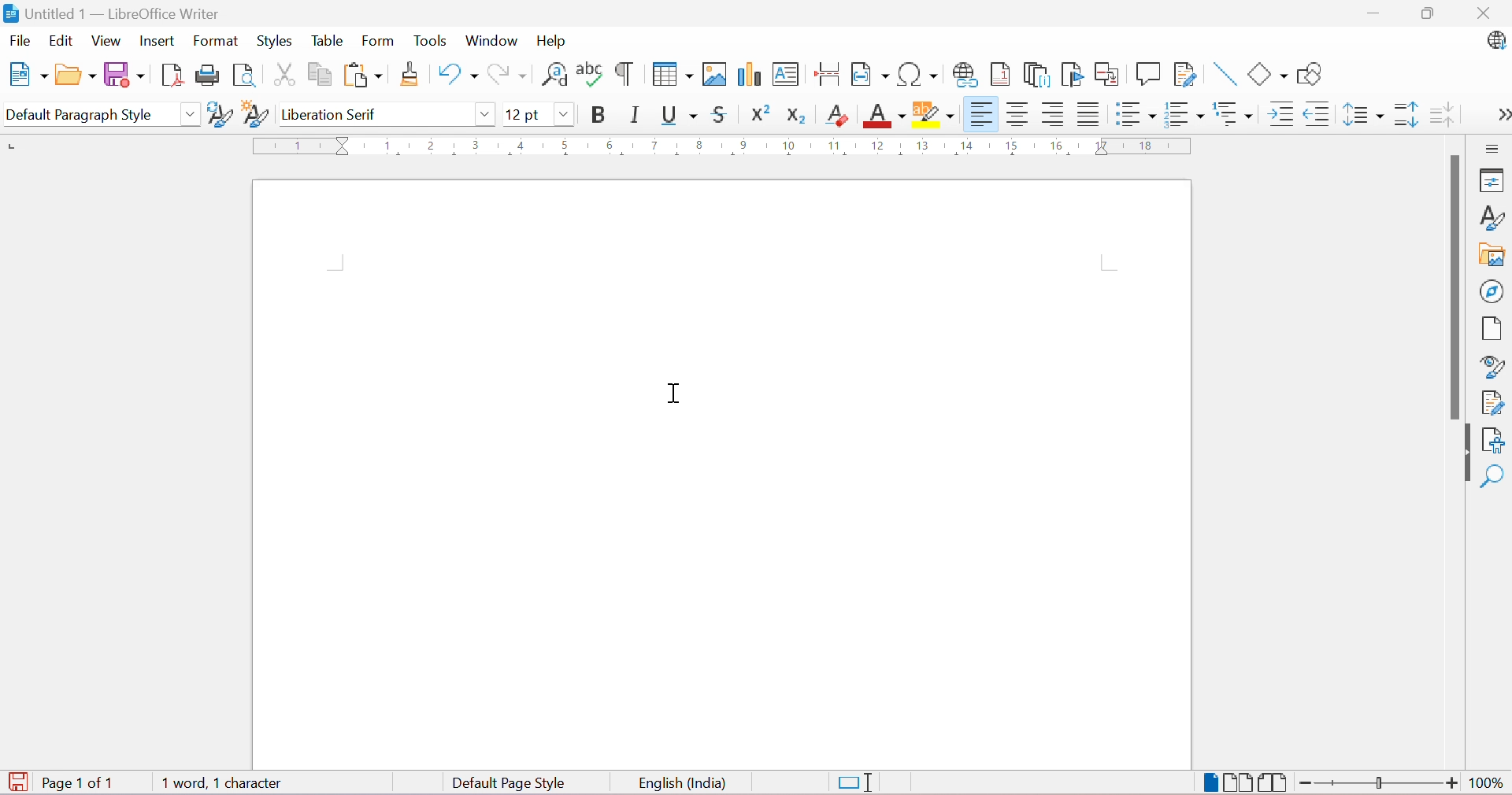  Describe the element at coordinates (510, 784) in the screenshot. I see `Default Page Style` at that location.